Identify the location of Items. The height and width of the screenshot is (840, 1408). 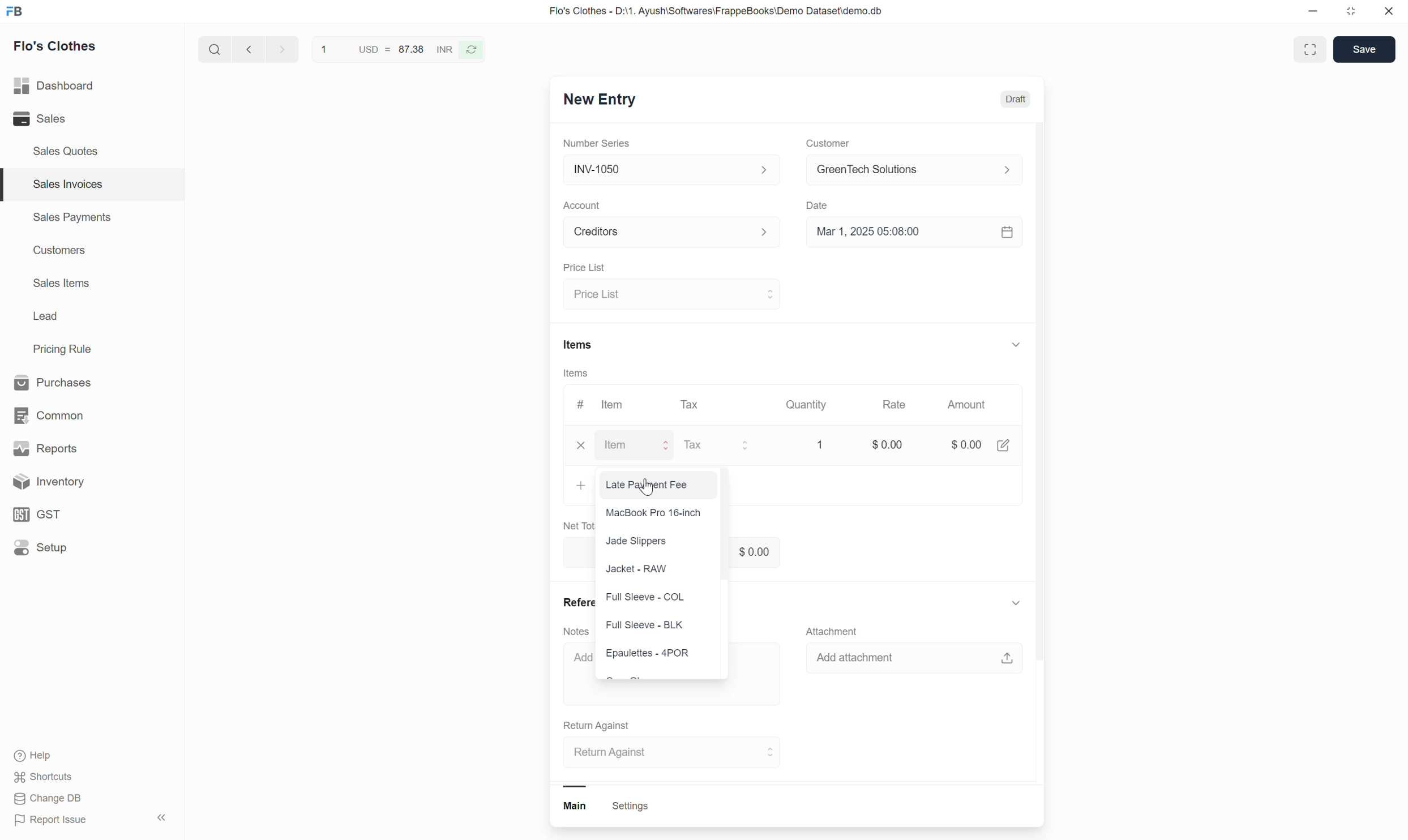
(576, 375).